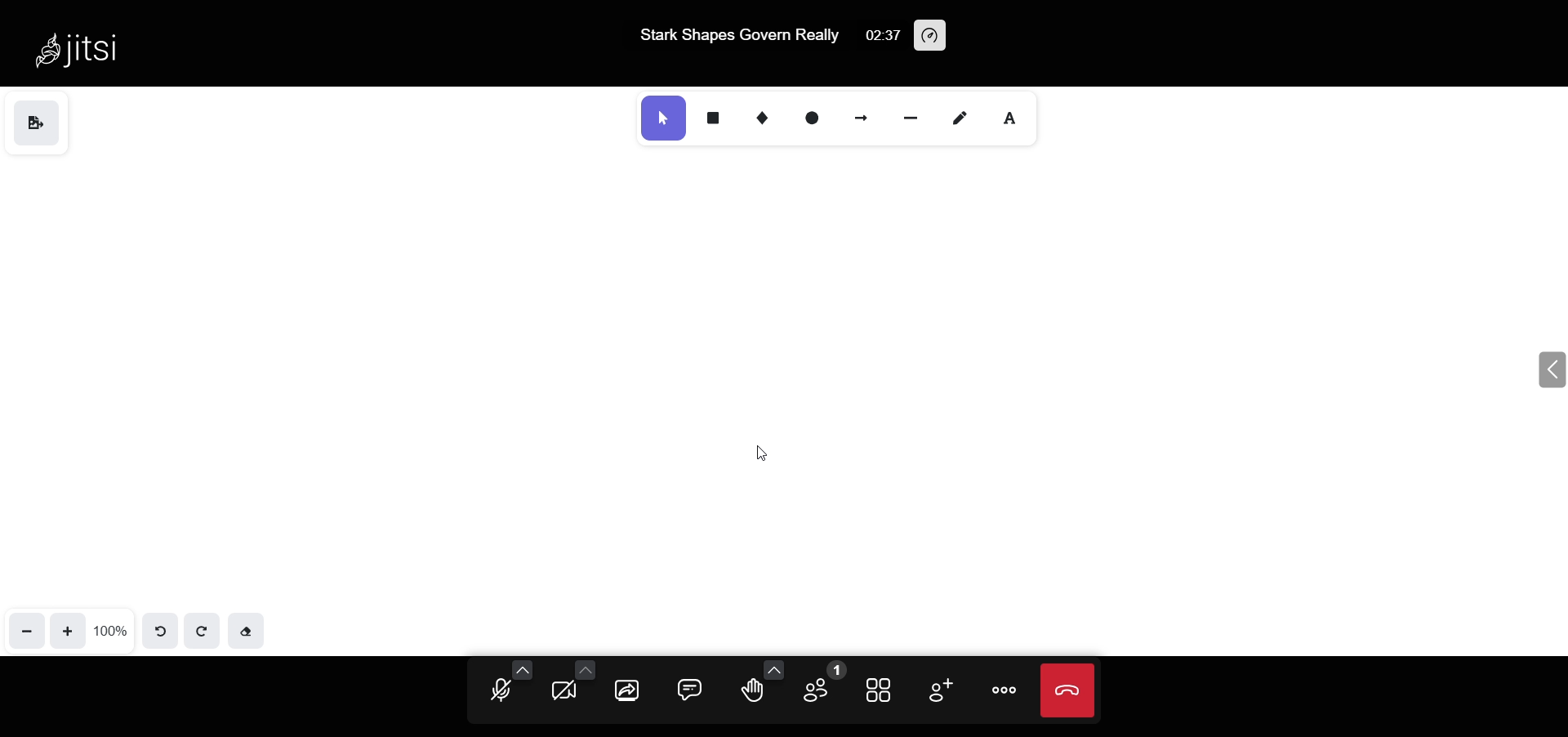  Describe the element at coordinates (1010, 121) in the screenshot. I see `text` at that location.